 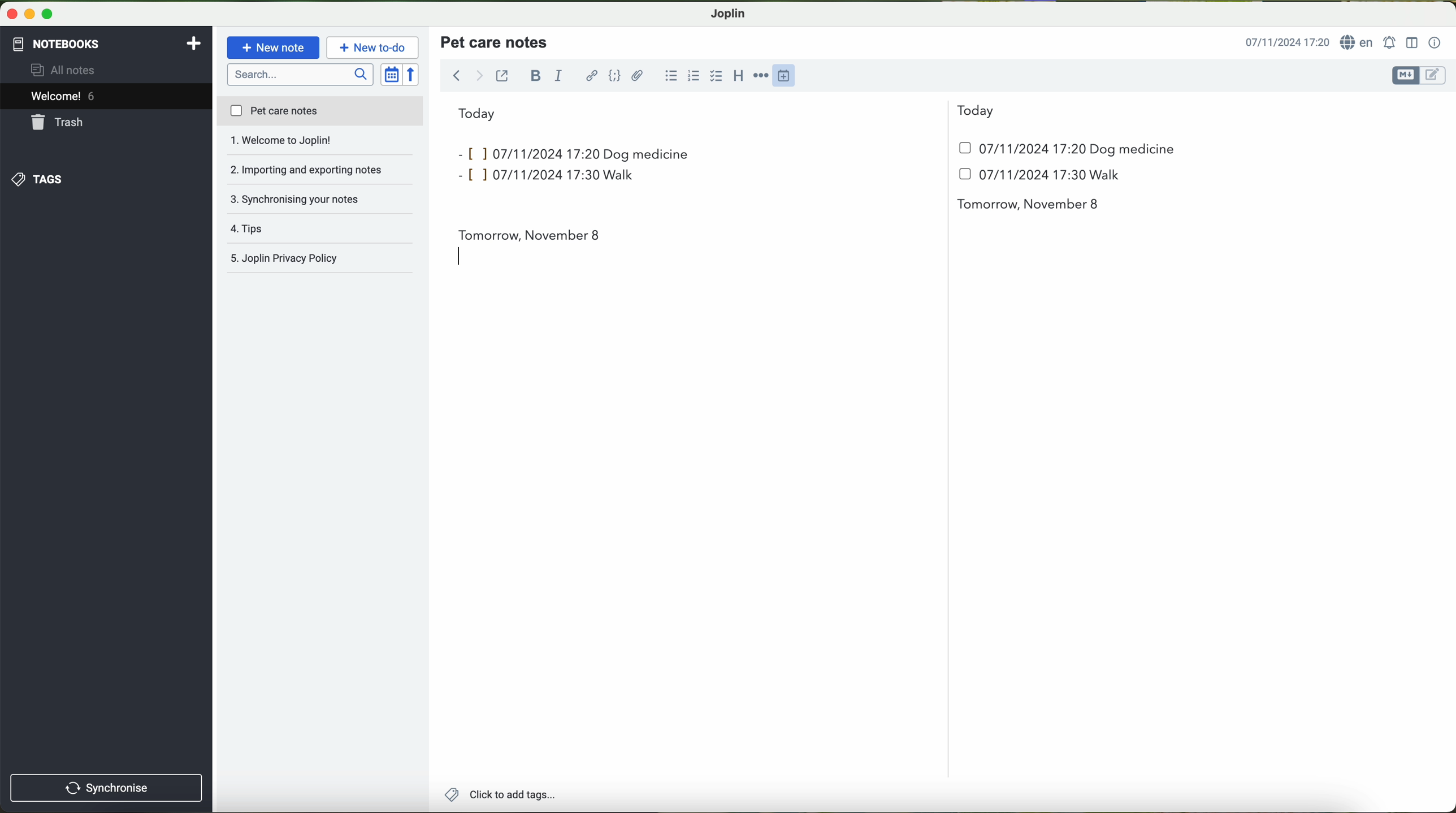 What do you see at coordinates (466, 75) in the screenshot?
I see `navigation arrows` at bounding box center [466, 75].